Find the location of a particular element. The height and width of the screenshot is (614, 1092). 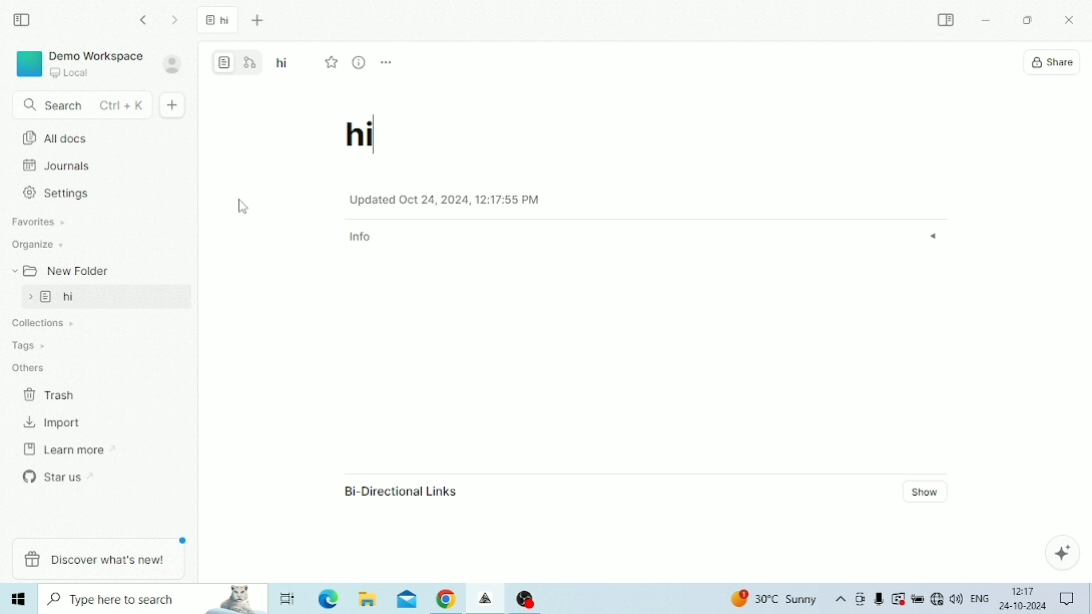

Google Chrome is located at coordinates (446, 600).